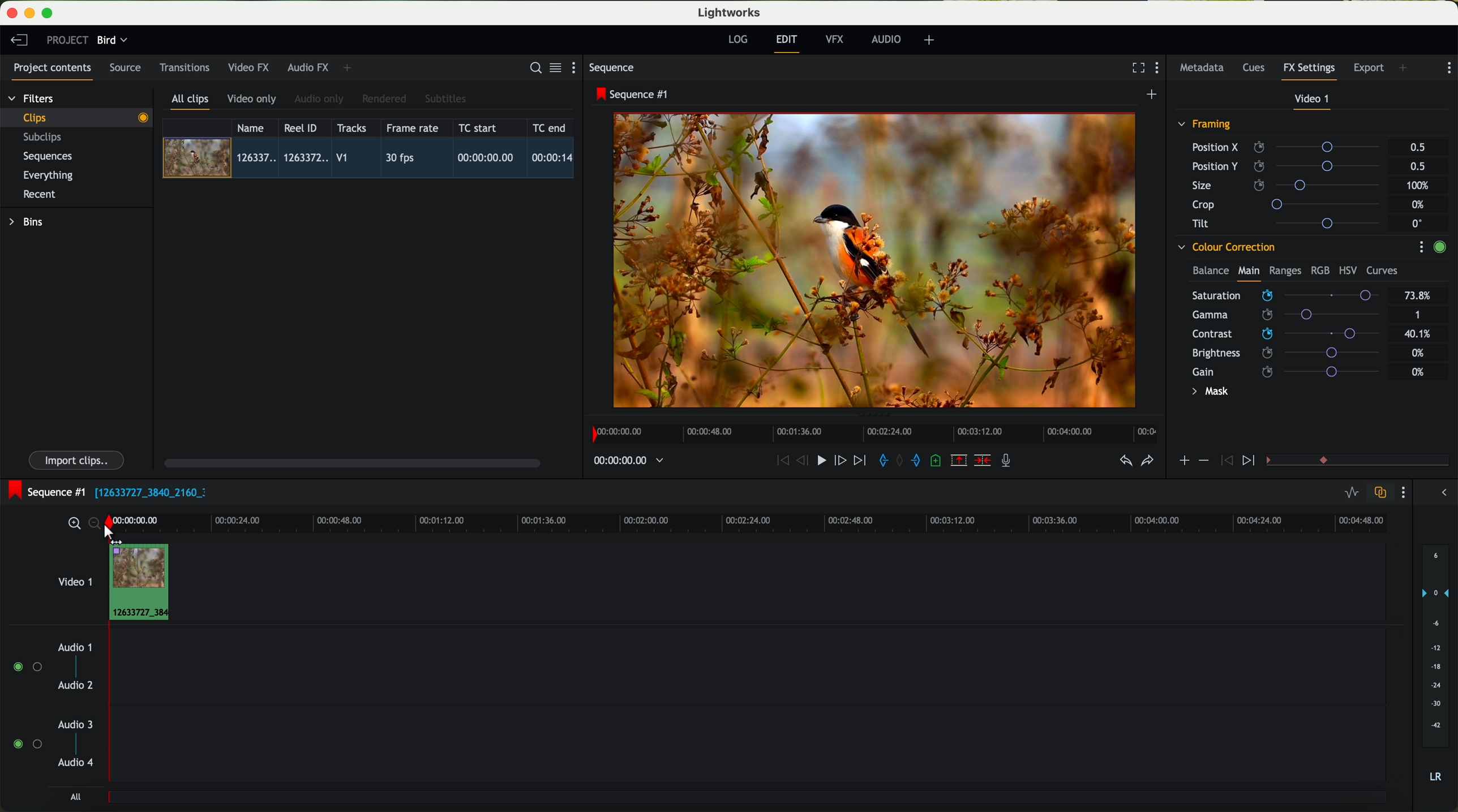 Image resolution: width=1458 pixels, height=812 pixels. What do you see at coordinates (75, 797) in the screenshot?
I see `all` at bounding box center [75, 797].